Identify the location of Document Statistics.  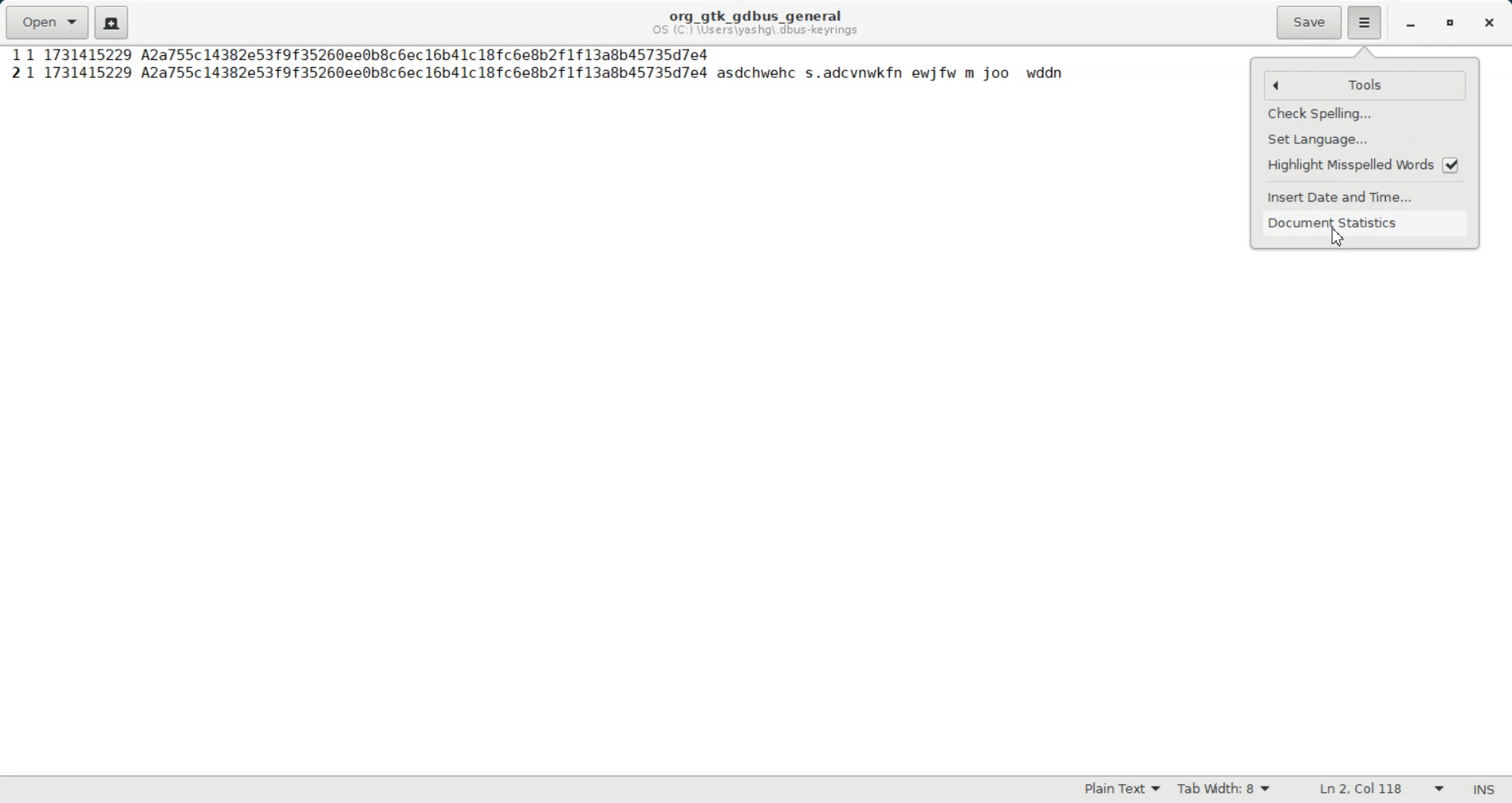
(1367, 223).